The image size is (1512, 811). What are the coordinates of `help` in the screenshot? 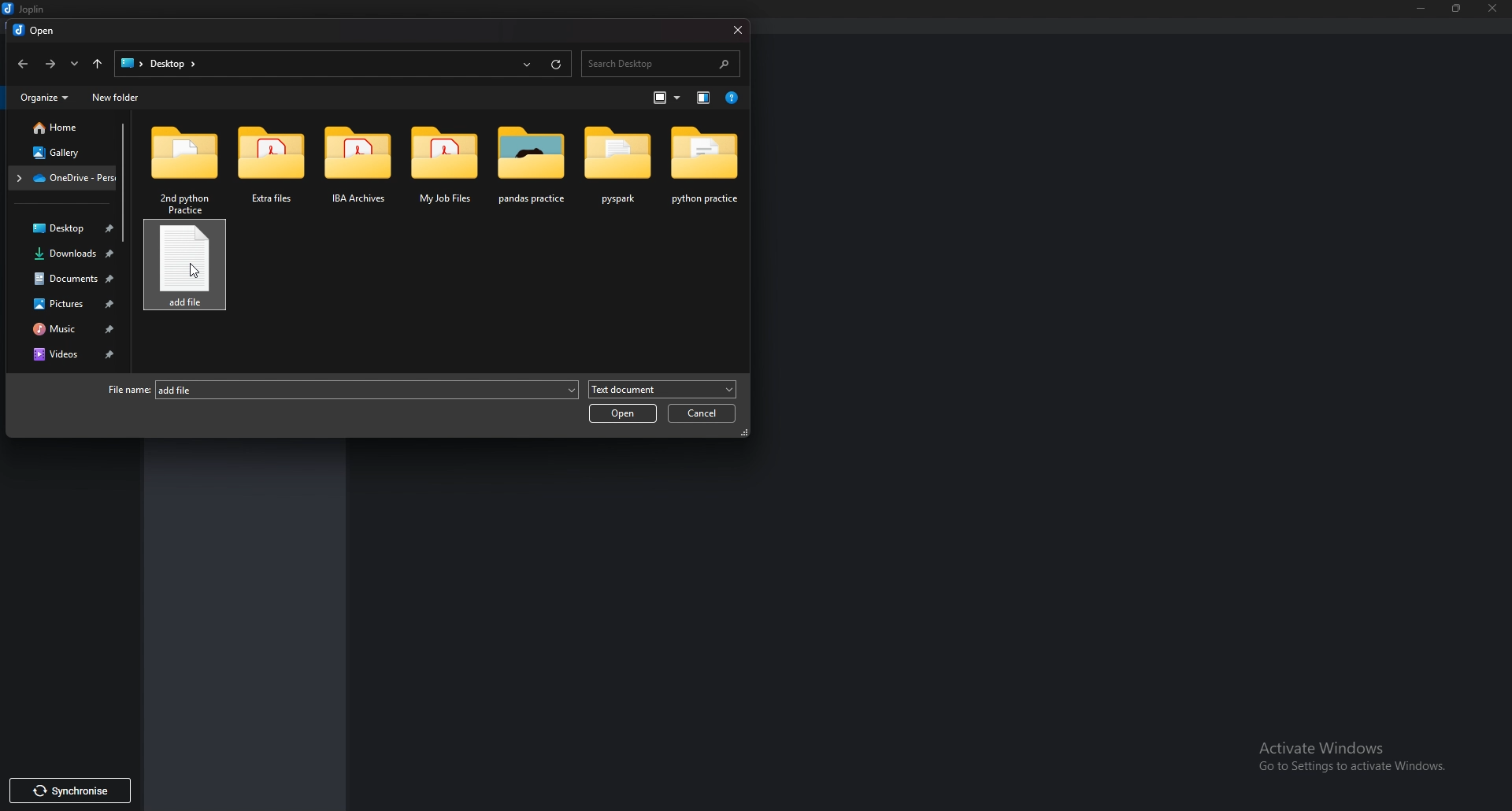 It's located at (733, 98).